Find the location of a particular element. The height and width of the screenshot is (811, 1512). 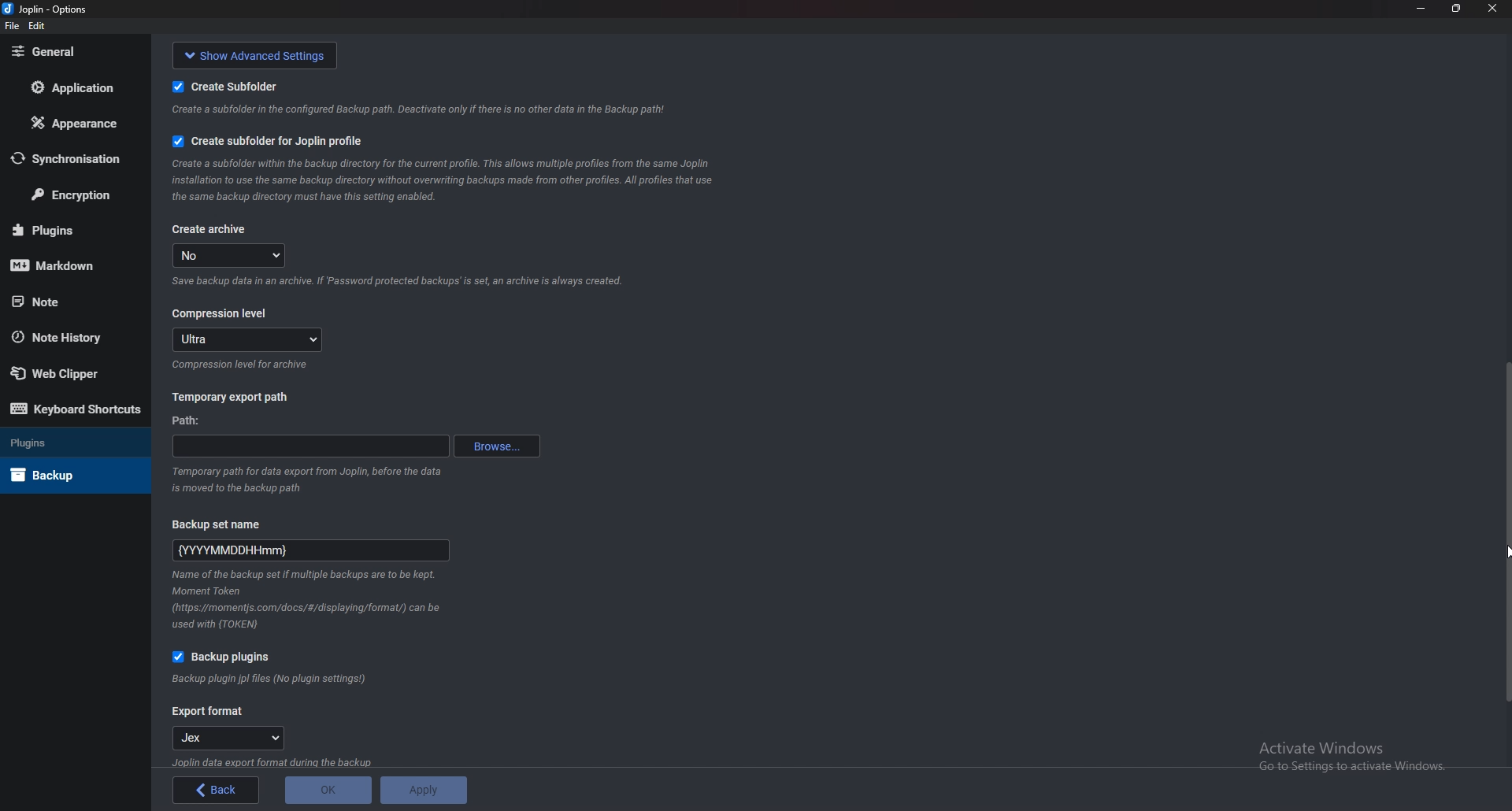

create archive is located at coordinates (211, 229).